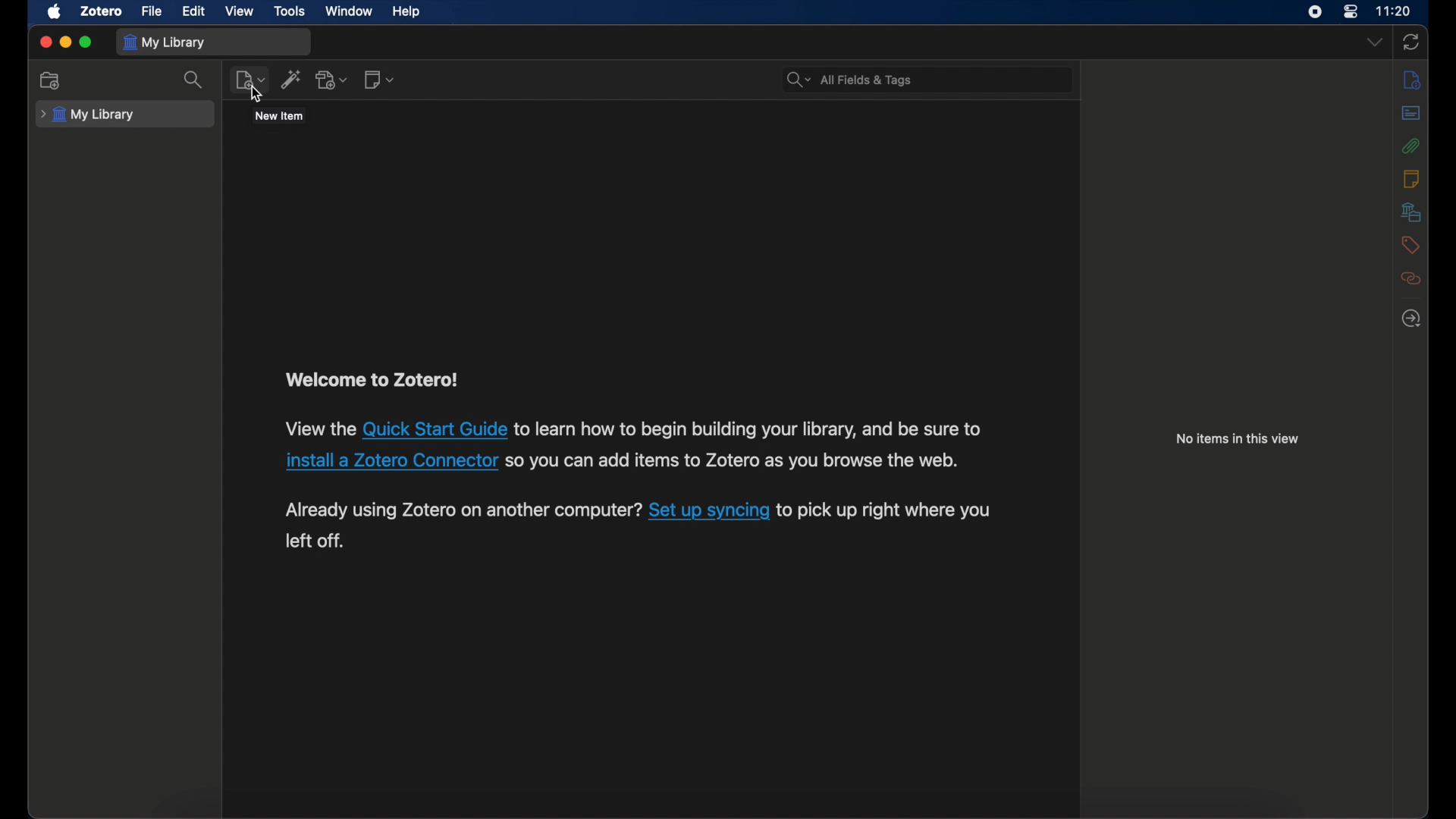 This screenshot has width=1456, height=819. Describe the element at coordinates (290, 11) in the screenshot. I see `tools` at that location.